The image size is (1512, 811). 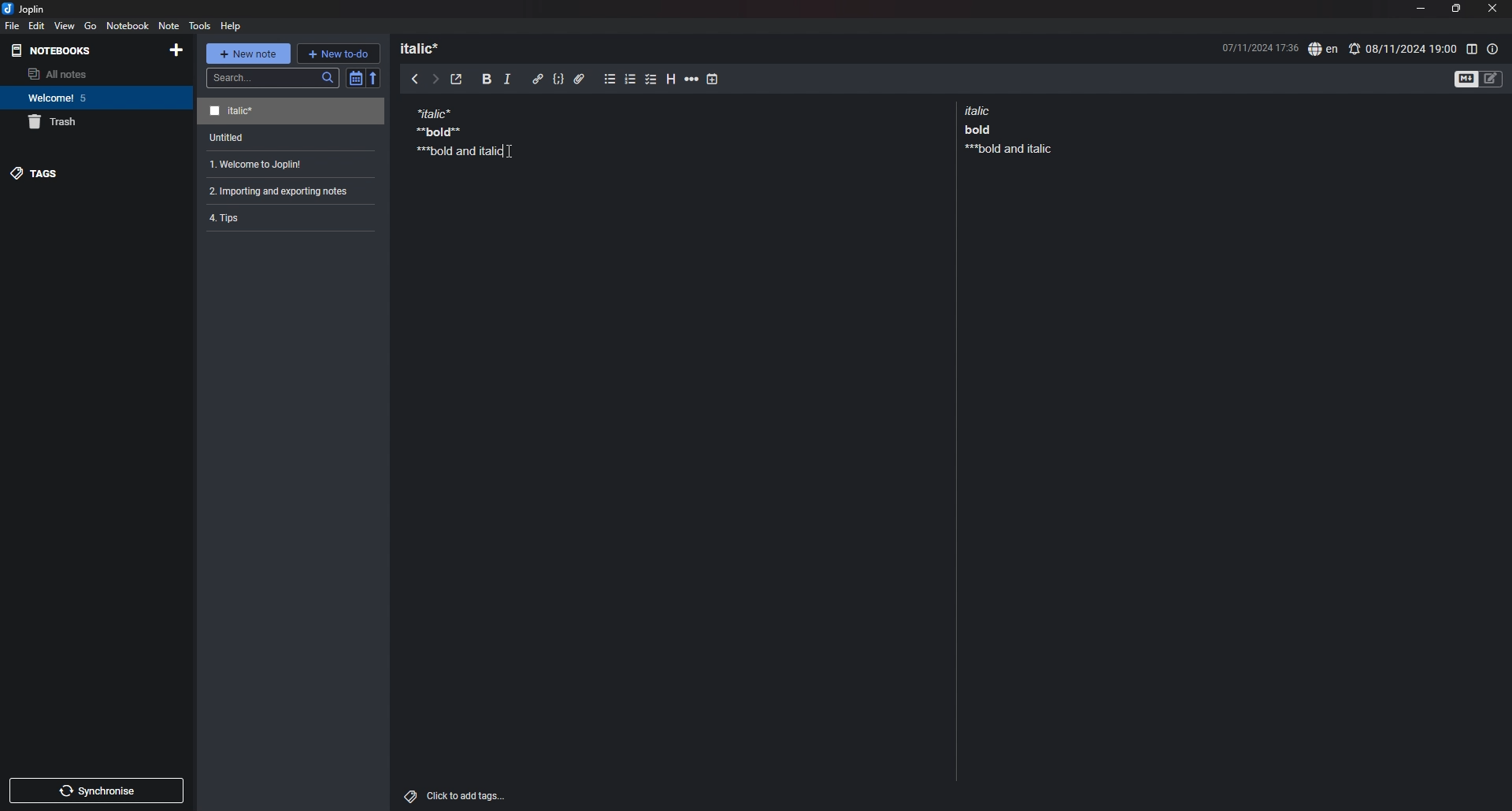 I want to click on note, so click(x=284, y=191).